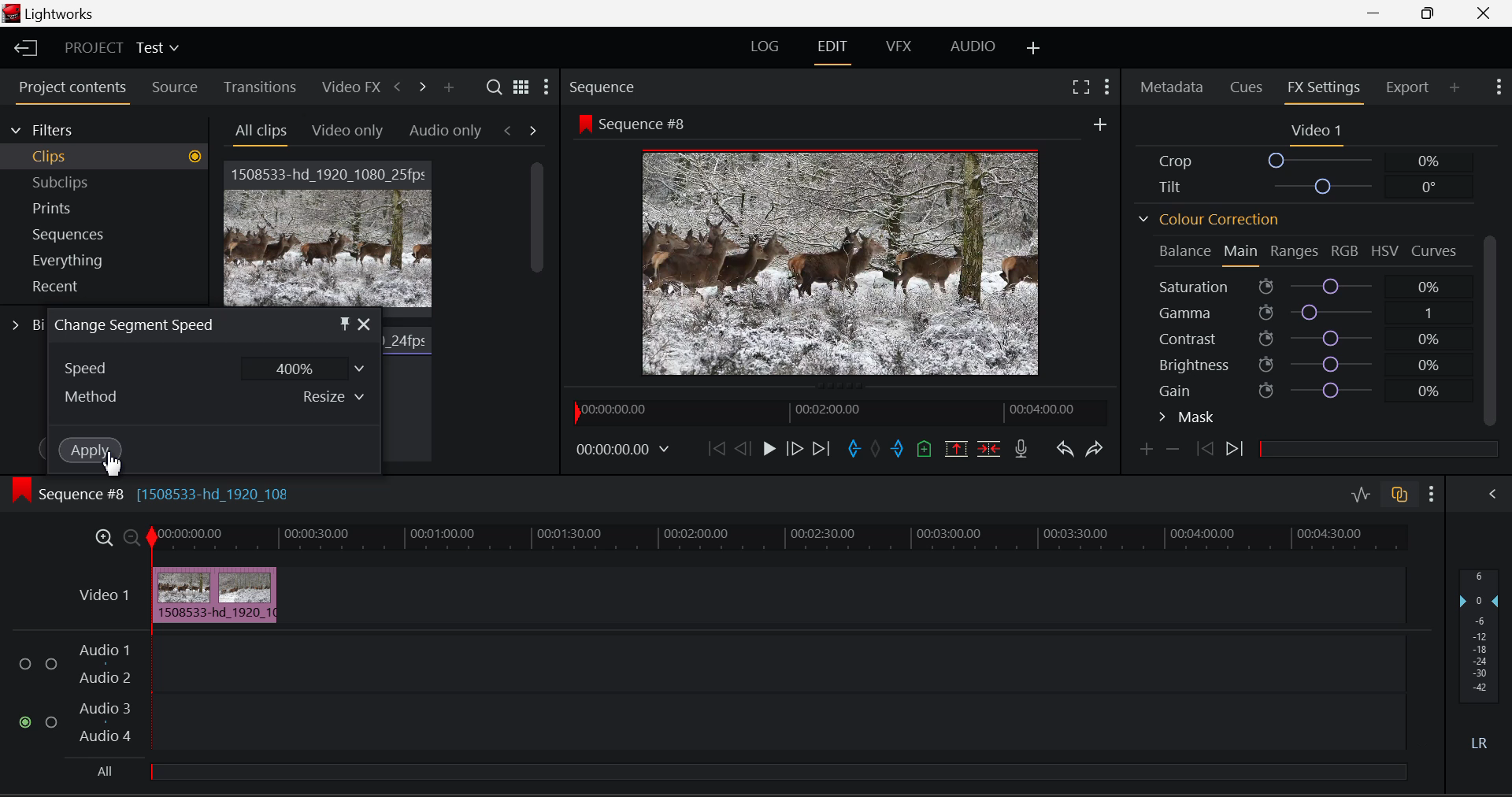 The image size is (1512, 797). Describe the element at coordinates (1408, 89) in the screenshot. I see `Export` at that location.